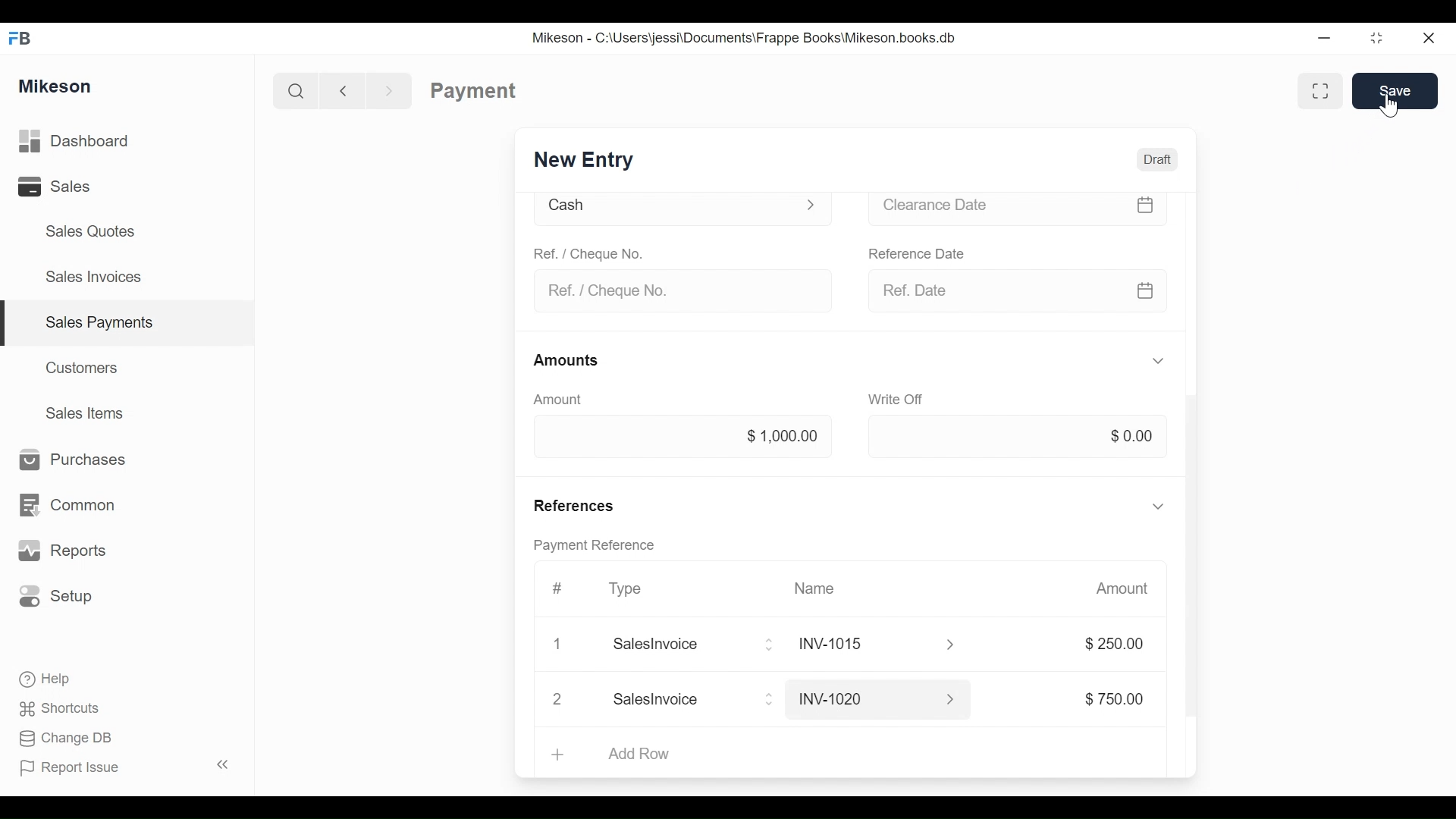 Image resolution: width=1456 pixels, height=819 pixels. Describe the element at coordinates (1398, 92) in the screenshot. I see `Save` at that location.